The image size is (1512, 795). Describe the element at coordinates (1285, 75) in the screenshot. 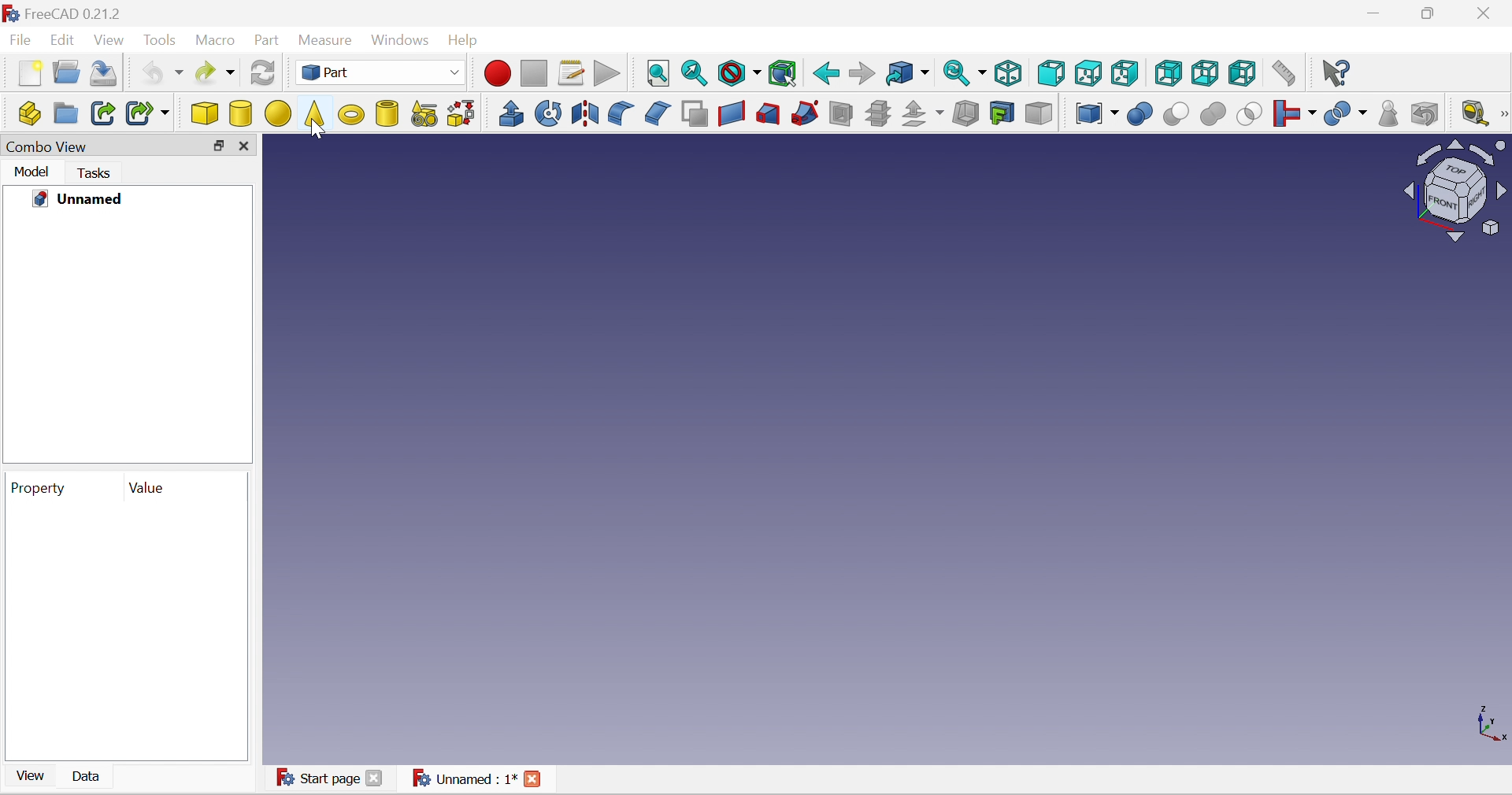

I see `Measure distance` at that location.